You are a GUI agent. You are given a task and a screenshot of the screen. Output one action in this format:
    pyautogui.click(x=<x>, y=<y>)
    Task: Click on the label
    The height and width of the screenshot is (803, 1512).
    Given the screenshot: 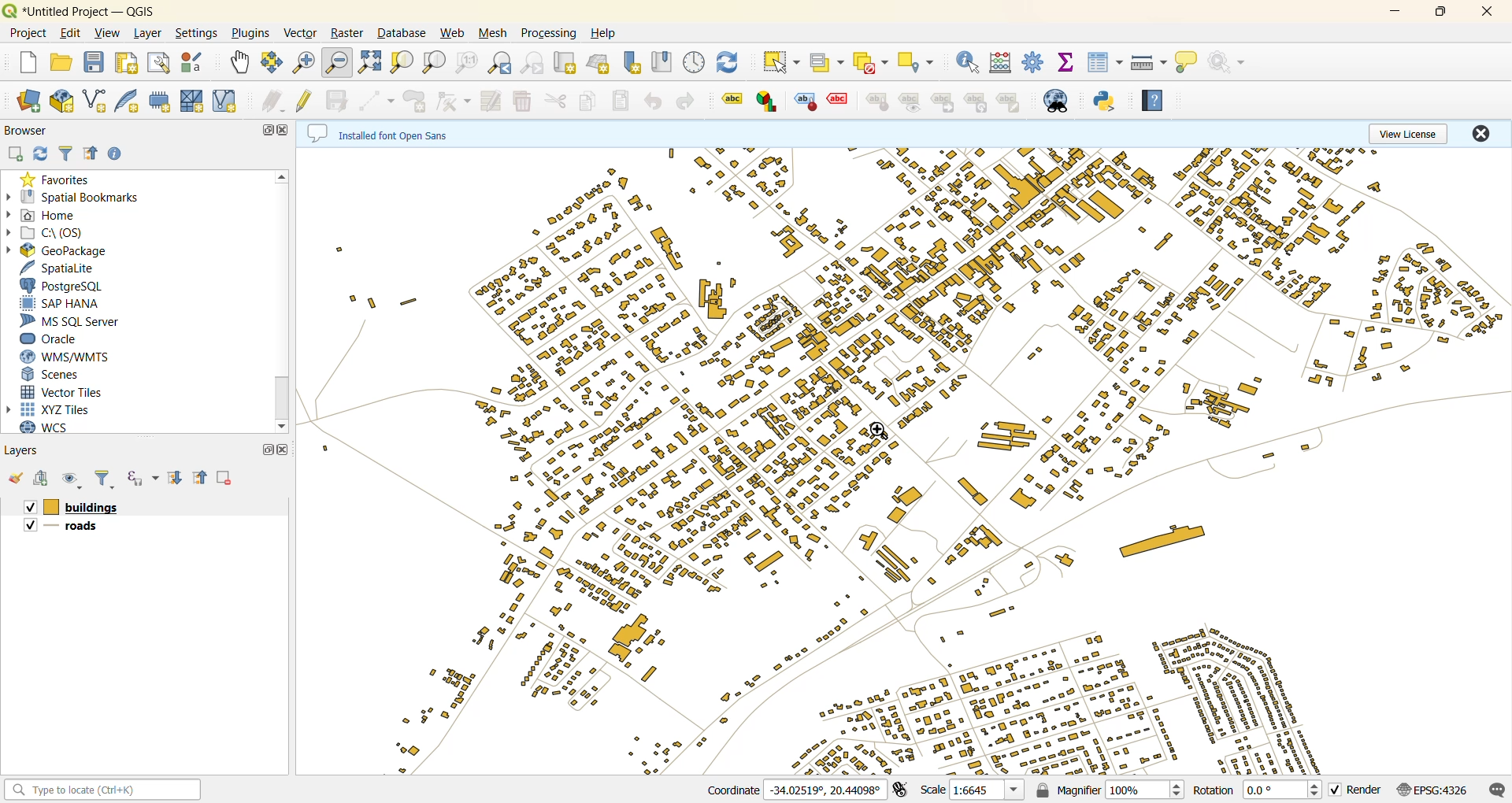 What is the action you would take?
    pyautogui.click(x=976, y=103)
    